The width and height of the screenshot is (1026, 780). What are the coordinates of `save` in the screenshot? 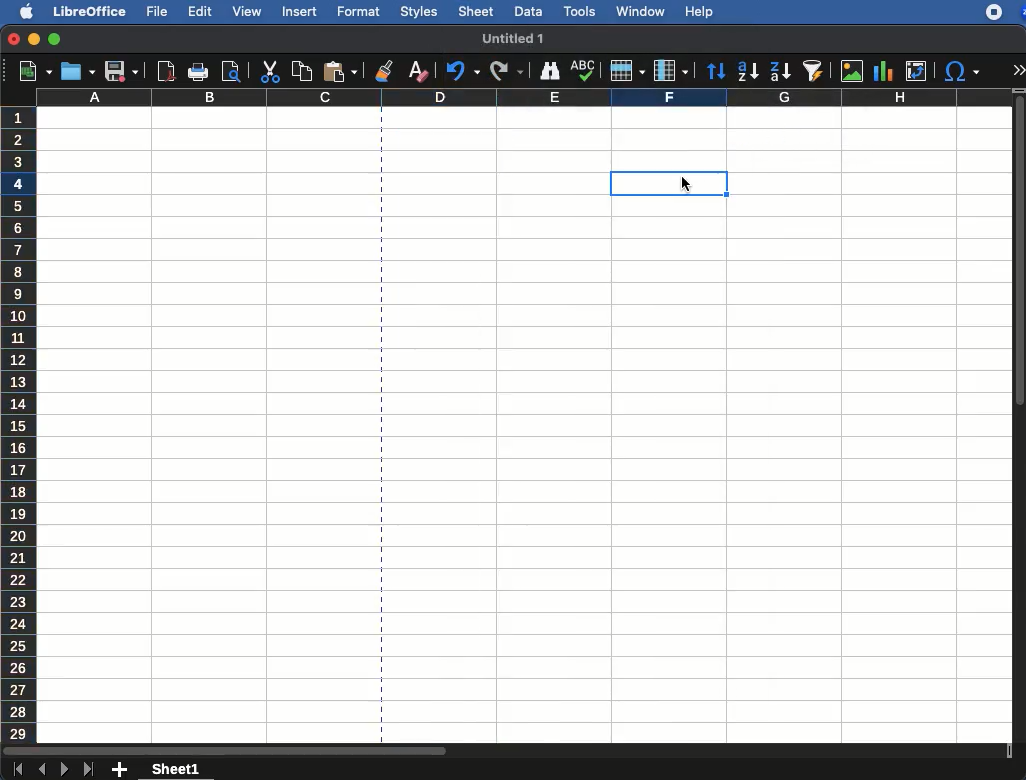 It's located at (76, 71).